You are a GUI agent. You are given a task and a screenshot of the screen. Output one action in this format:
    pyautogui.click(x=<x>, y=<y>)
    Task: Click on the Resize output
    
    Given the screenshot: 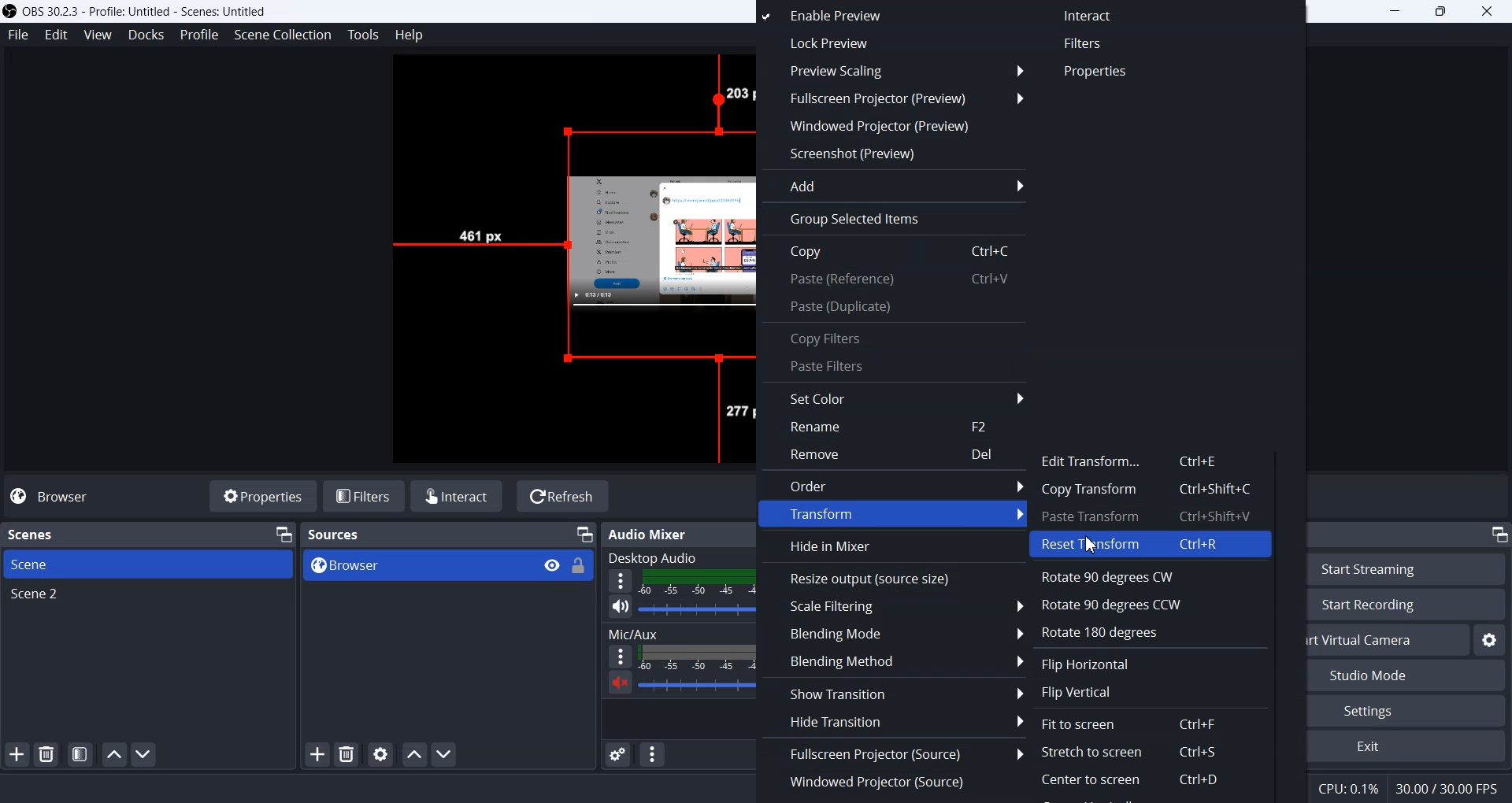 What is the action you would take?
    pyautogui.click(x=892, y=578)
    